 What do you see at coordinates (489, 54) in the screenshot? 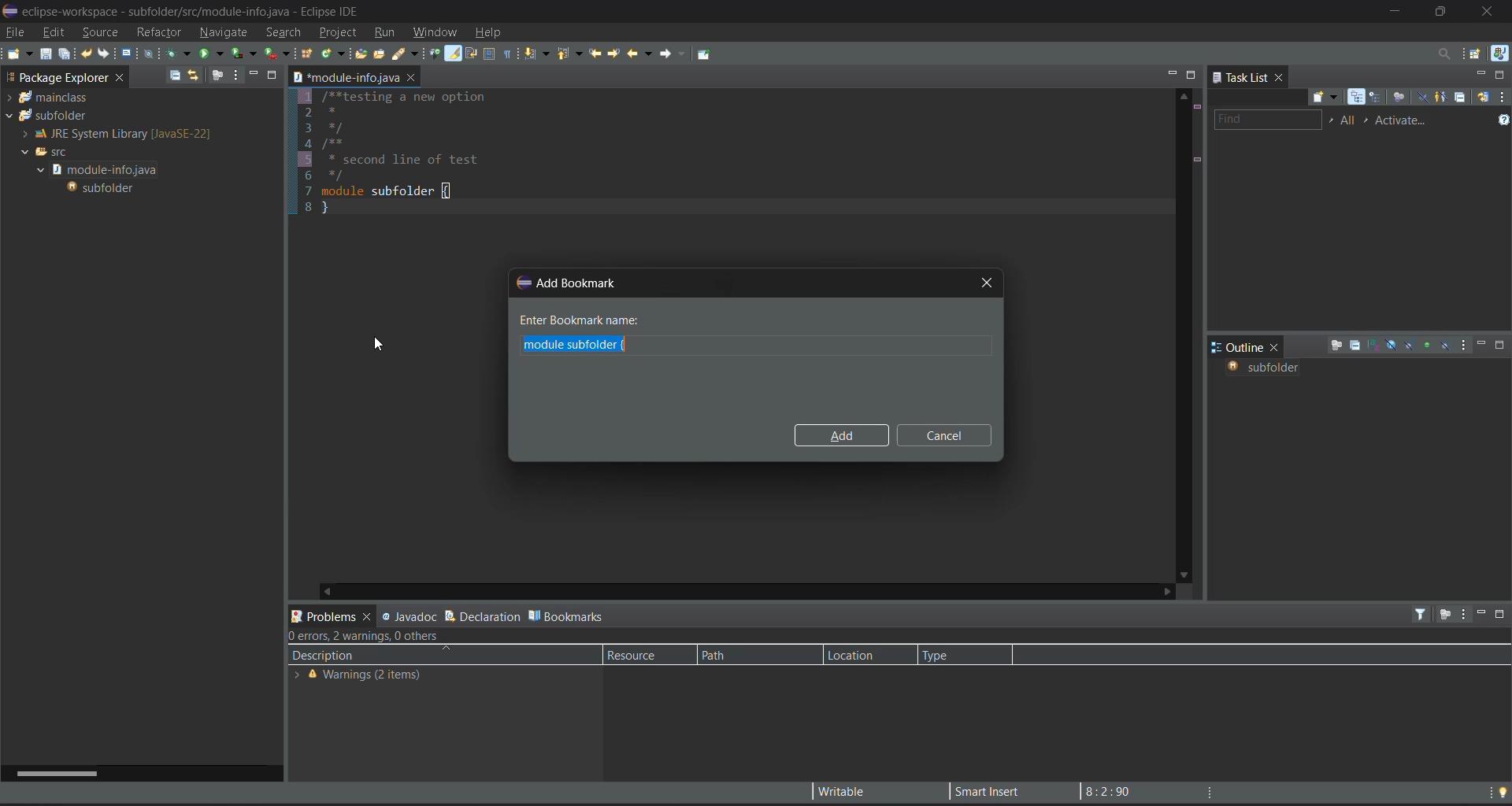
I see `toggle block selection mode ` at bounding box center [489, 54].